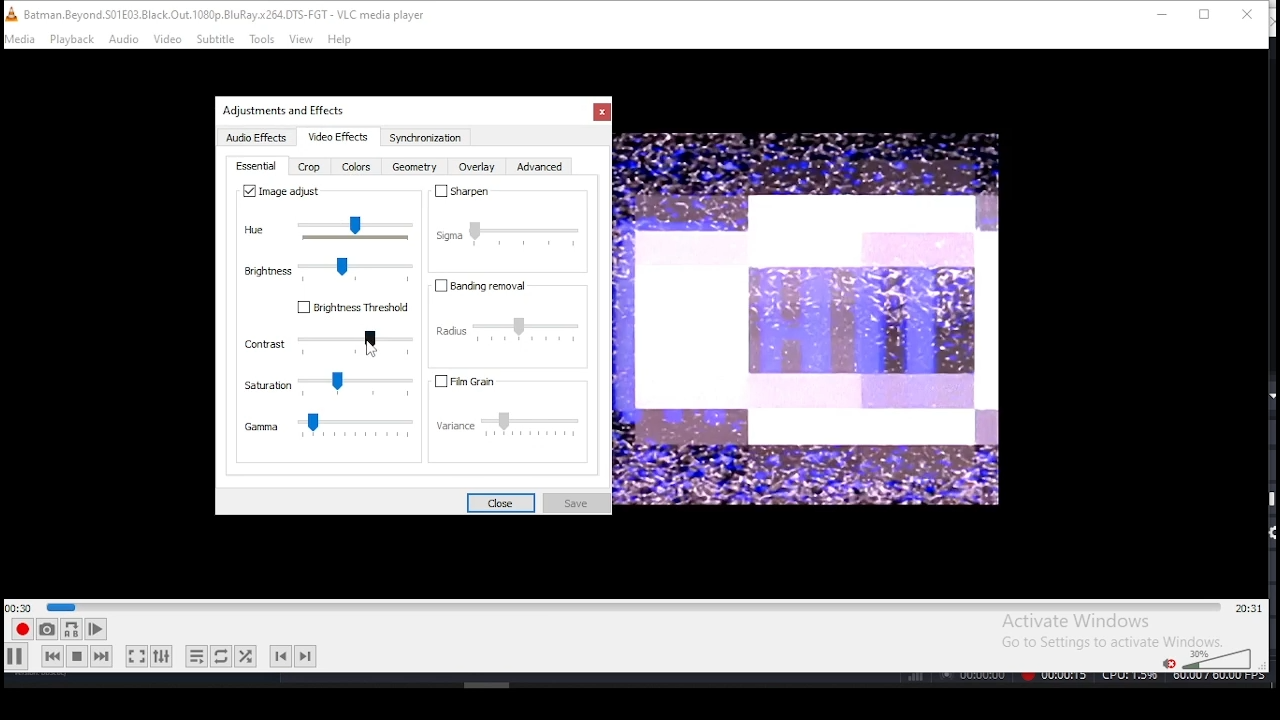  I want to click on media, so click(21, 39).